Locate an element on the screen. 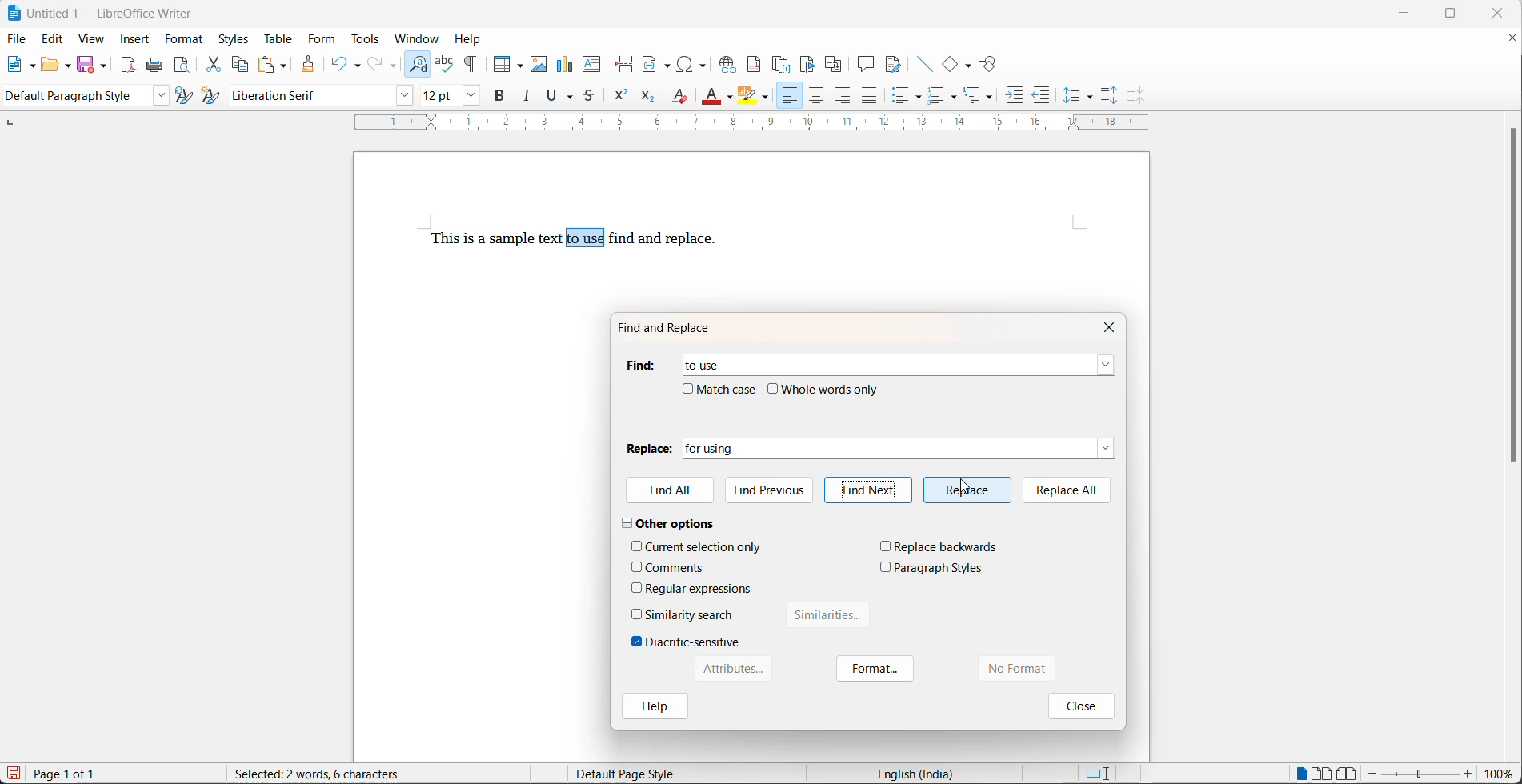 The height and width of the screenshot is (784, 1522). window is located at coordinates (419, 38).